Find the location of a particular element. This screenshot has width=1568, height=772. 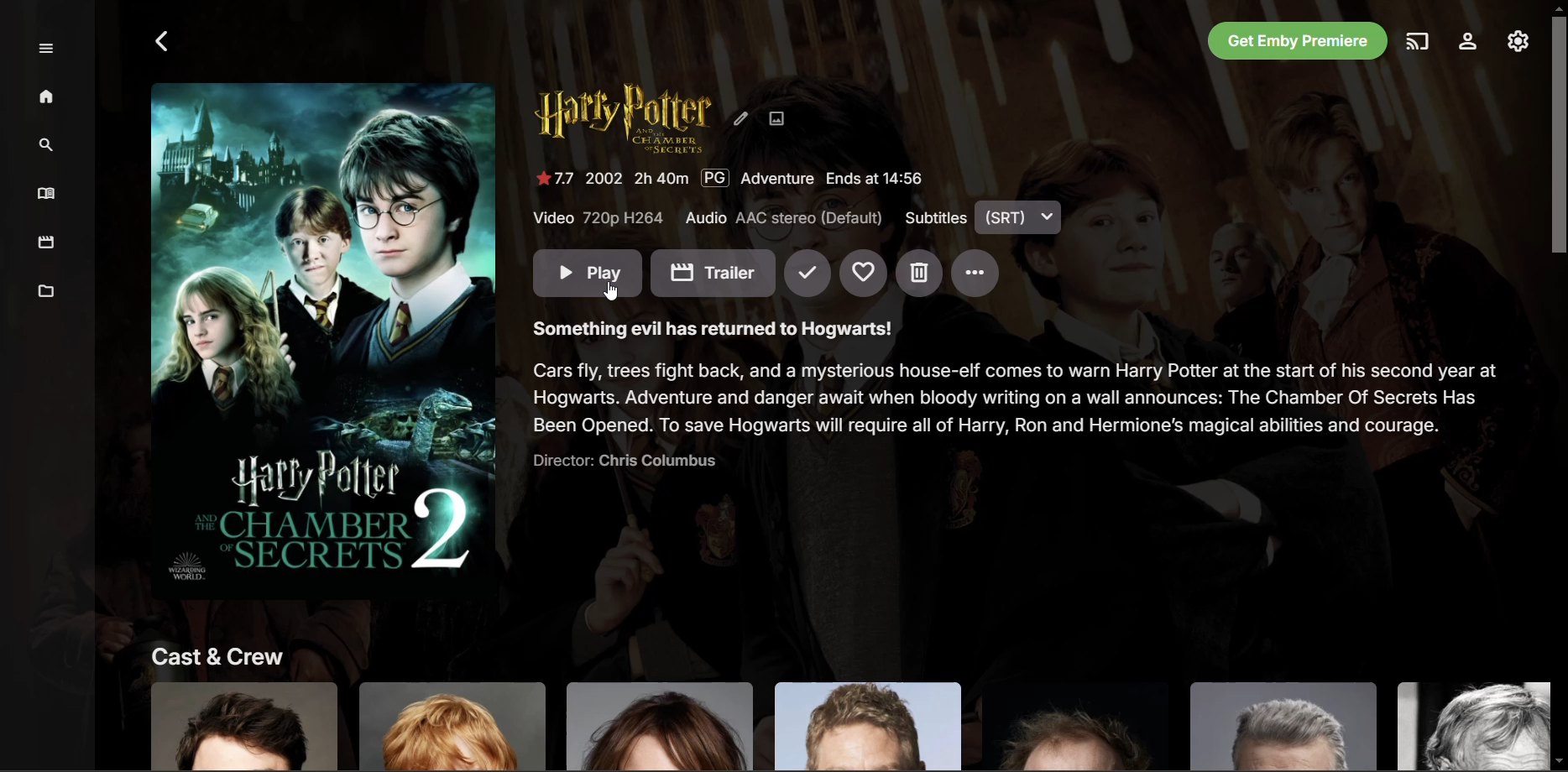

Play is located at coordinates (588, 274).